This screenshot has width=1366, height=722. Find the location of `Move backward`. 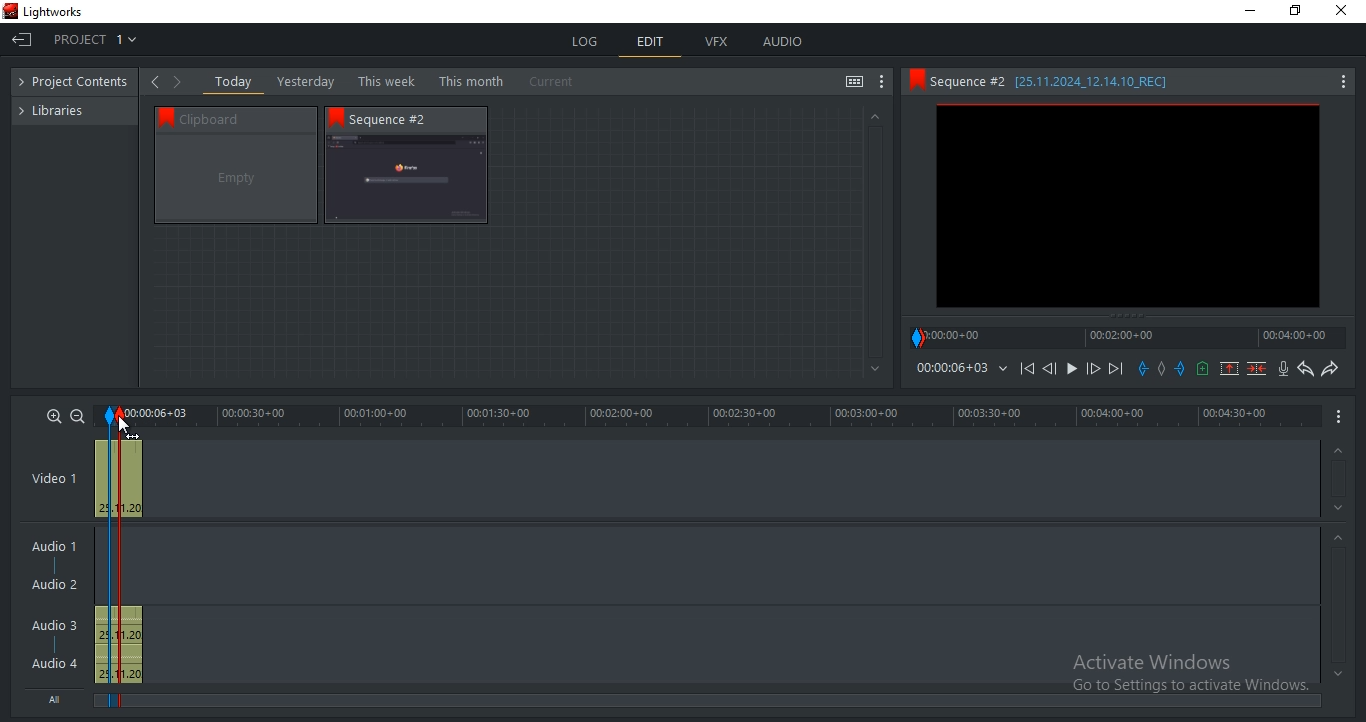

Move backward is located at coordinates (1030, 373).